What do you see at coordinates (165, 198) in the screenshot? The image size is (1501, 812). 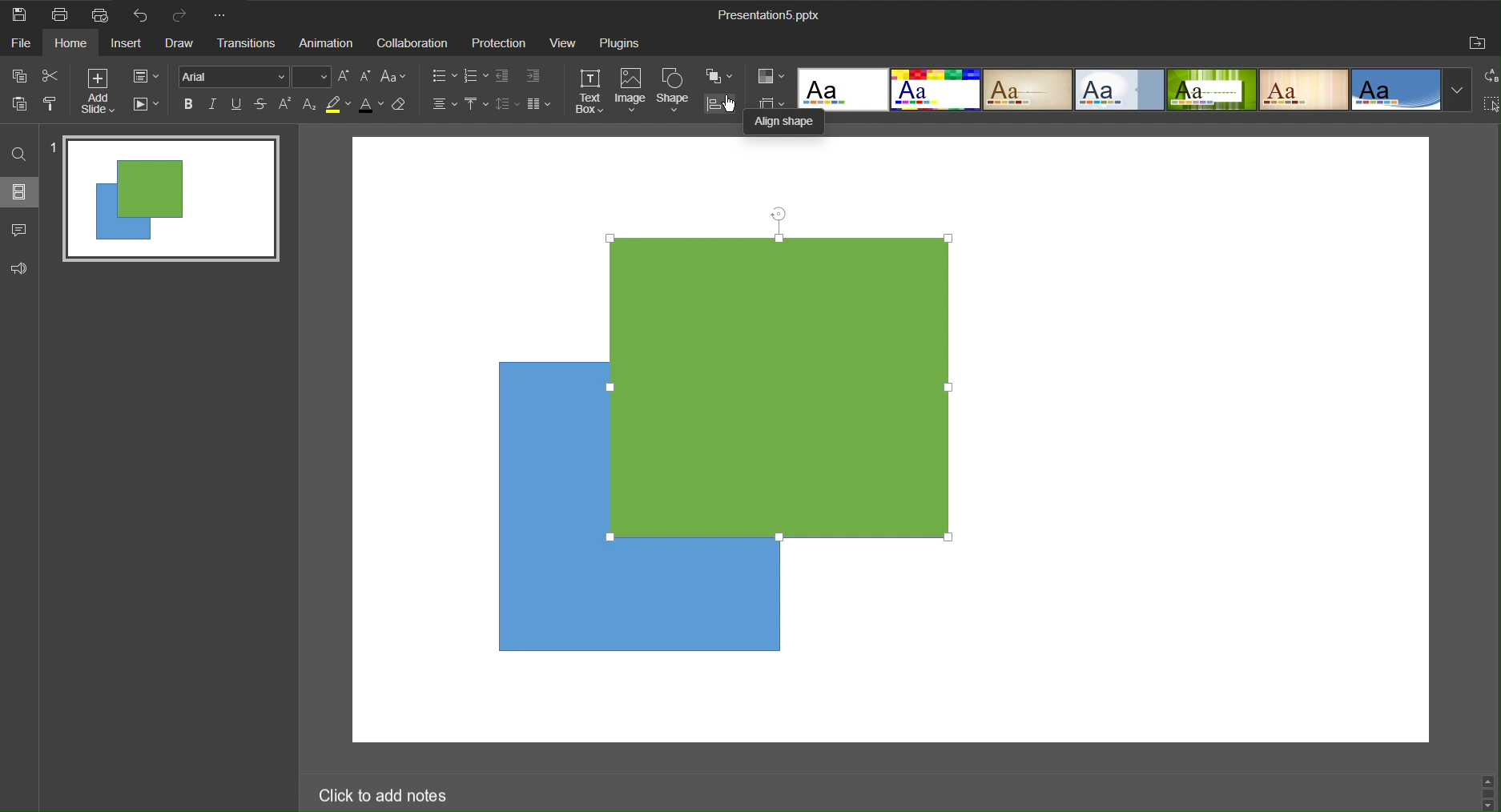 I see `Slide 1` at bounding box center [165, 198].